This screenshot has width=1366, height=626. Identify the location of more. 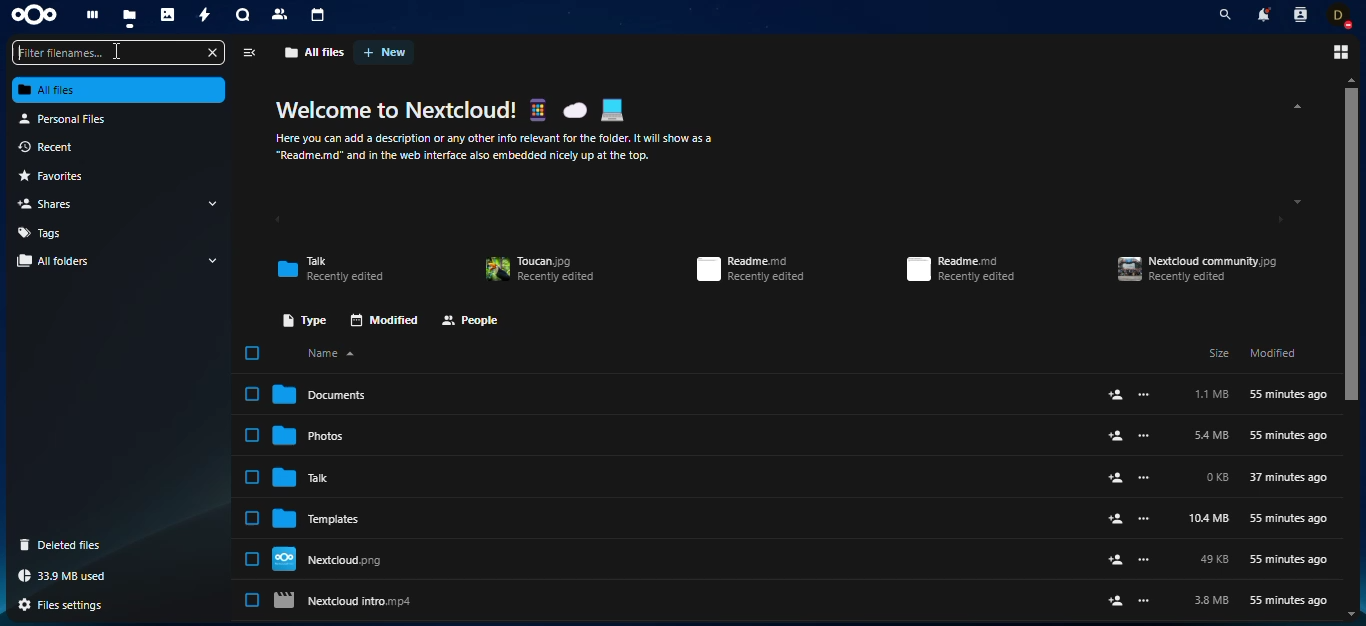
(1144, 519).